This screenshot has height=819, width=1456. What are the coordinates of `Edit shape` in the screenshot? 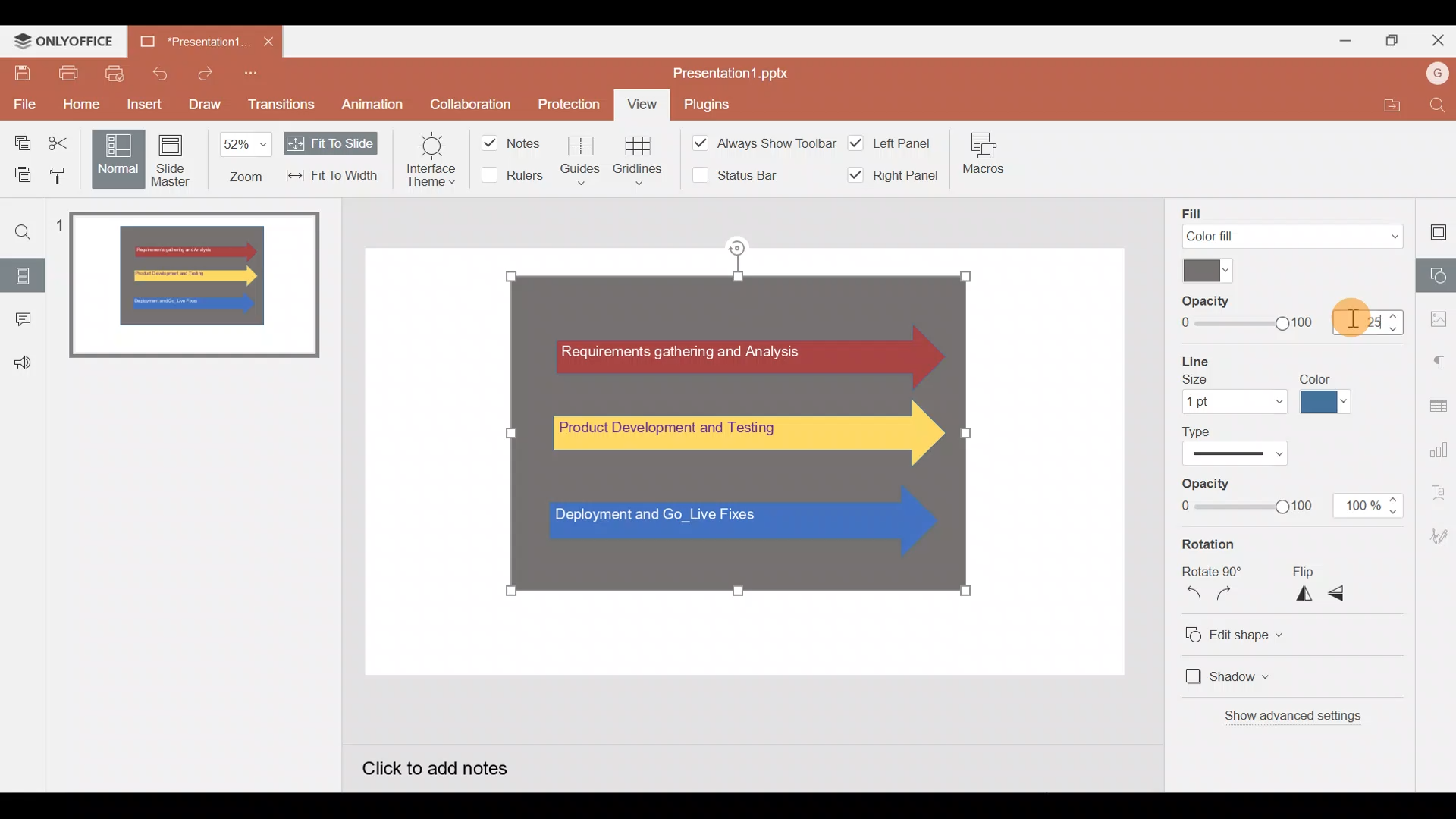 It's located at (1252, 632).